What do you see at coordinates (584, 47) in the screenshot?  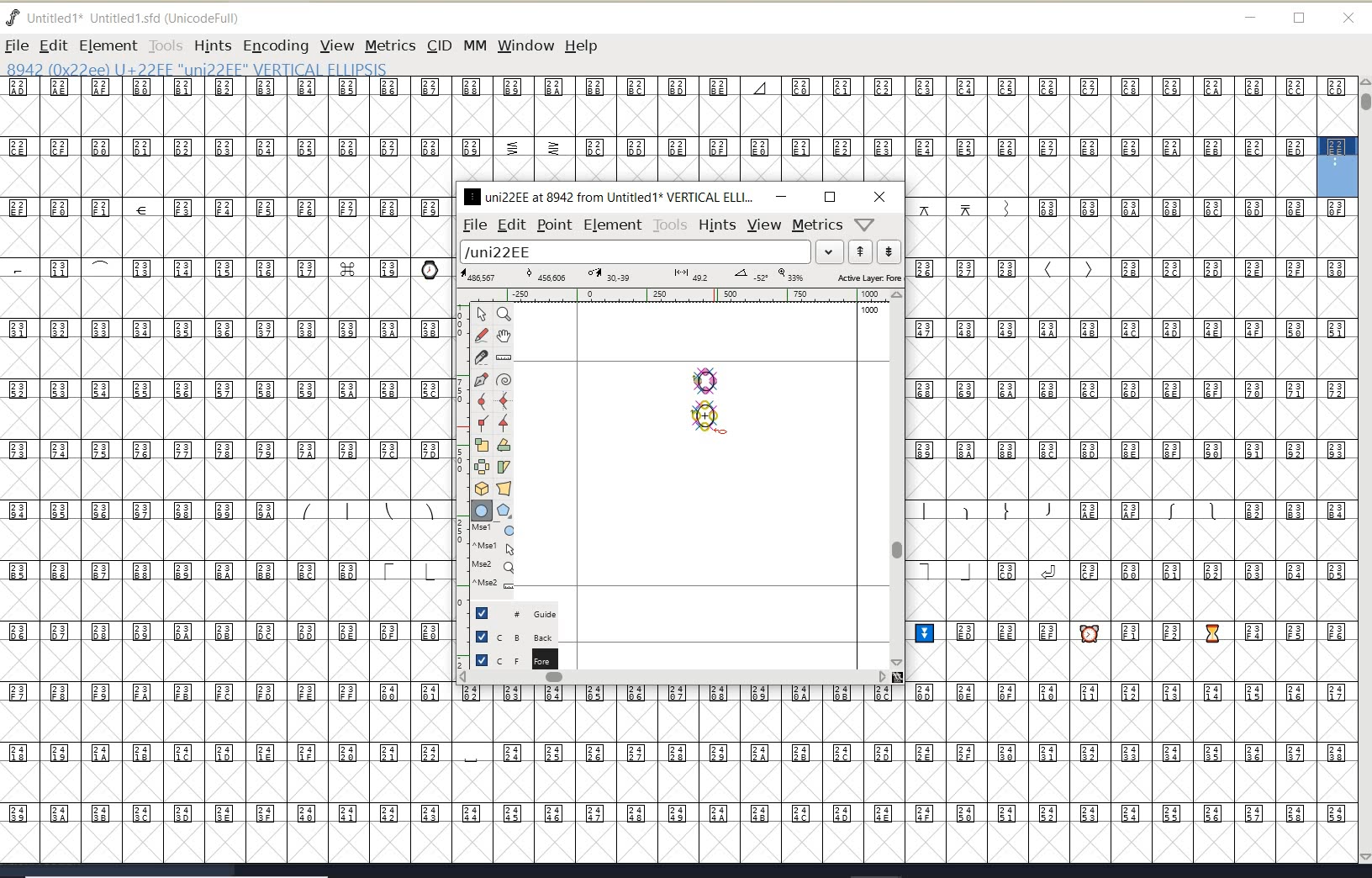 I see `help` at bounding box center [584, 47].